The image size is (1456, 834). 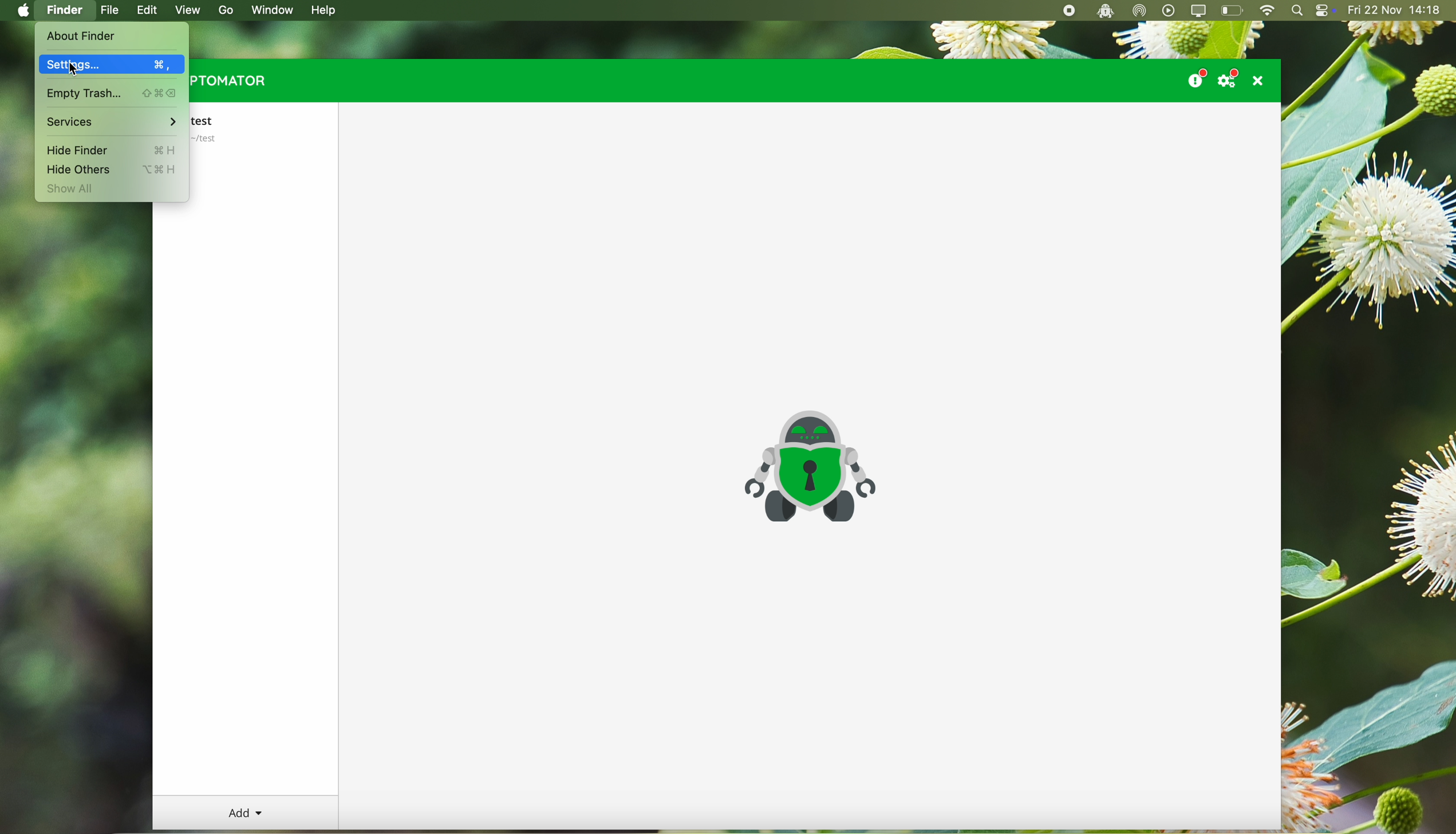 I want to click on show all, so click(x=72, y=190).